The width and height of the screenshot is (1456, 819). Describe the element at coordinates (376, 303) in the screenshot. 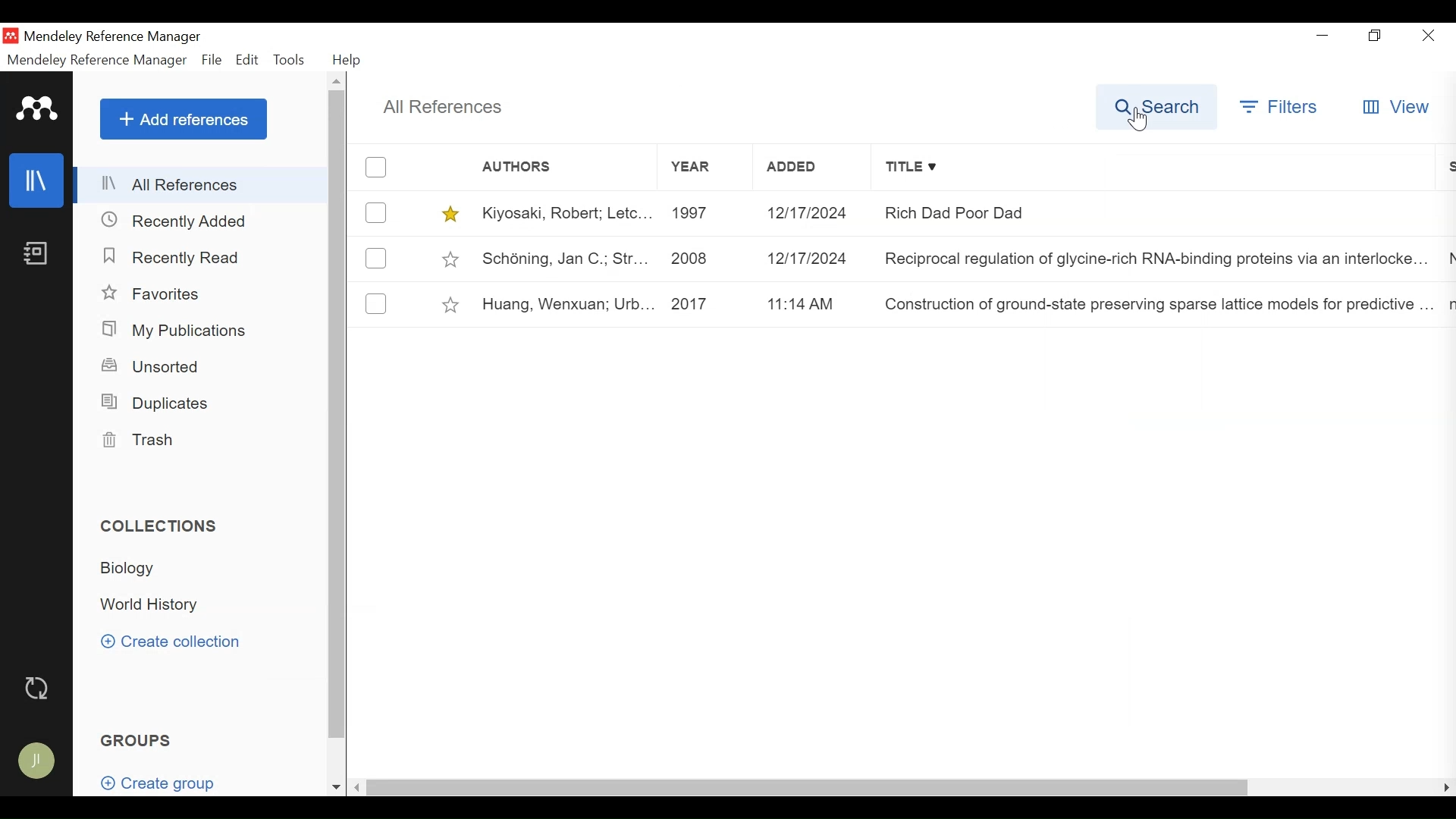

I see `(un)select` at that location.